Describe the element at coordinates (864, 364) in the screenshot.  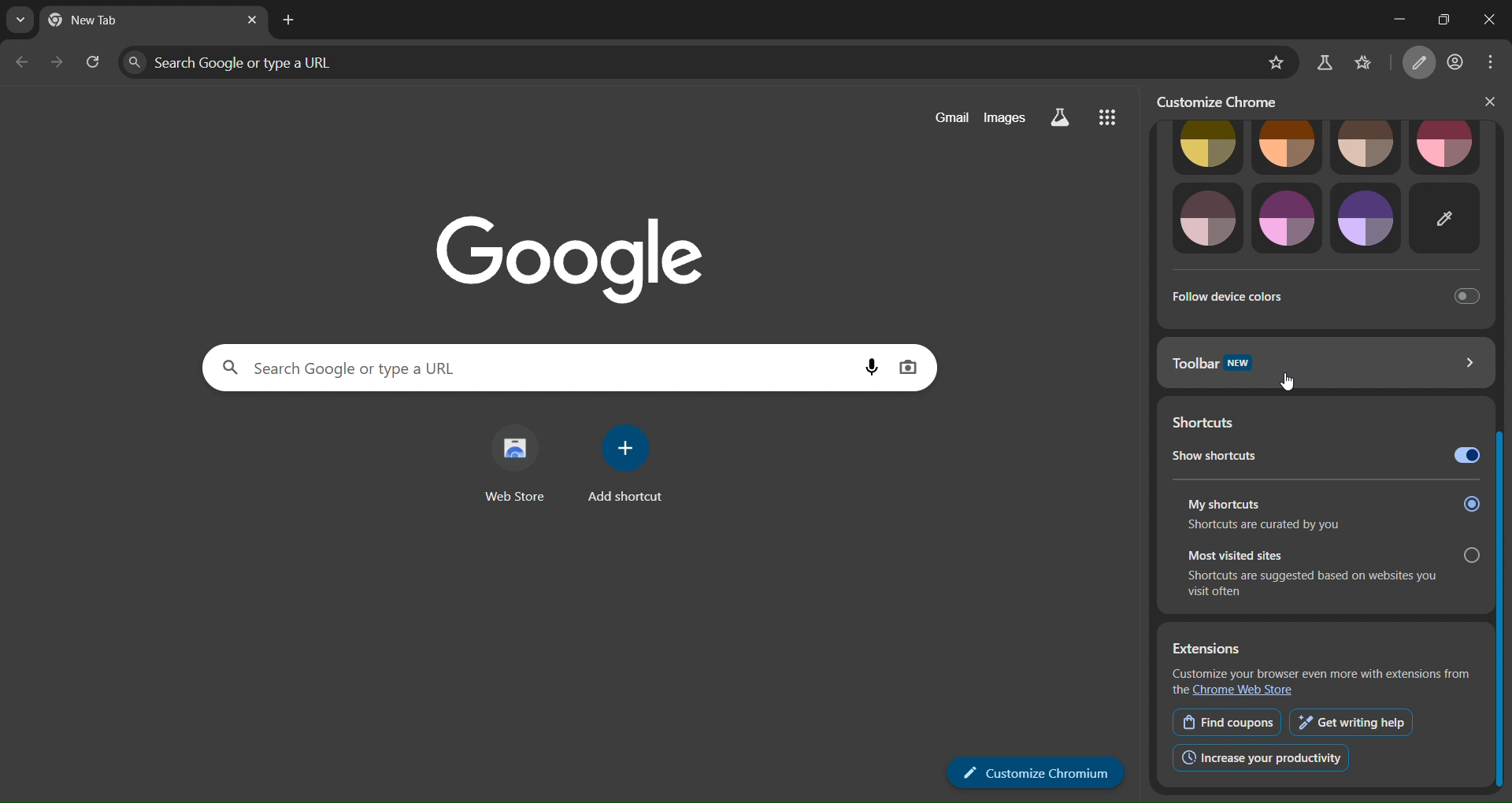
I see `voice search` at that location.